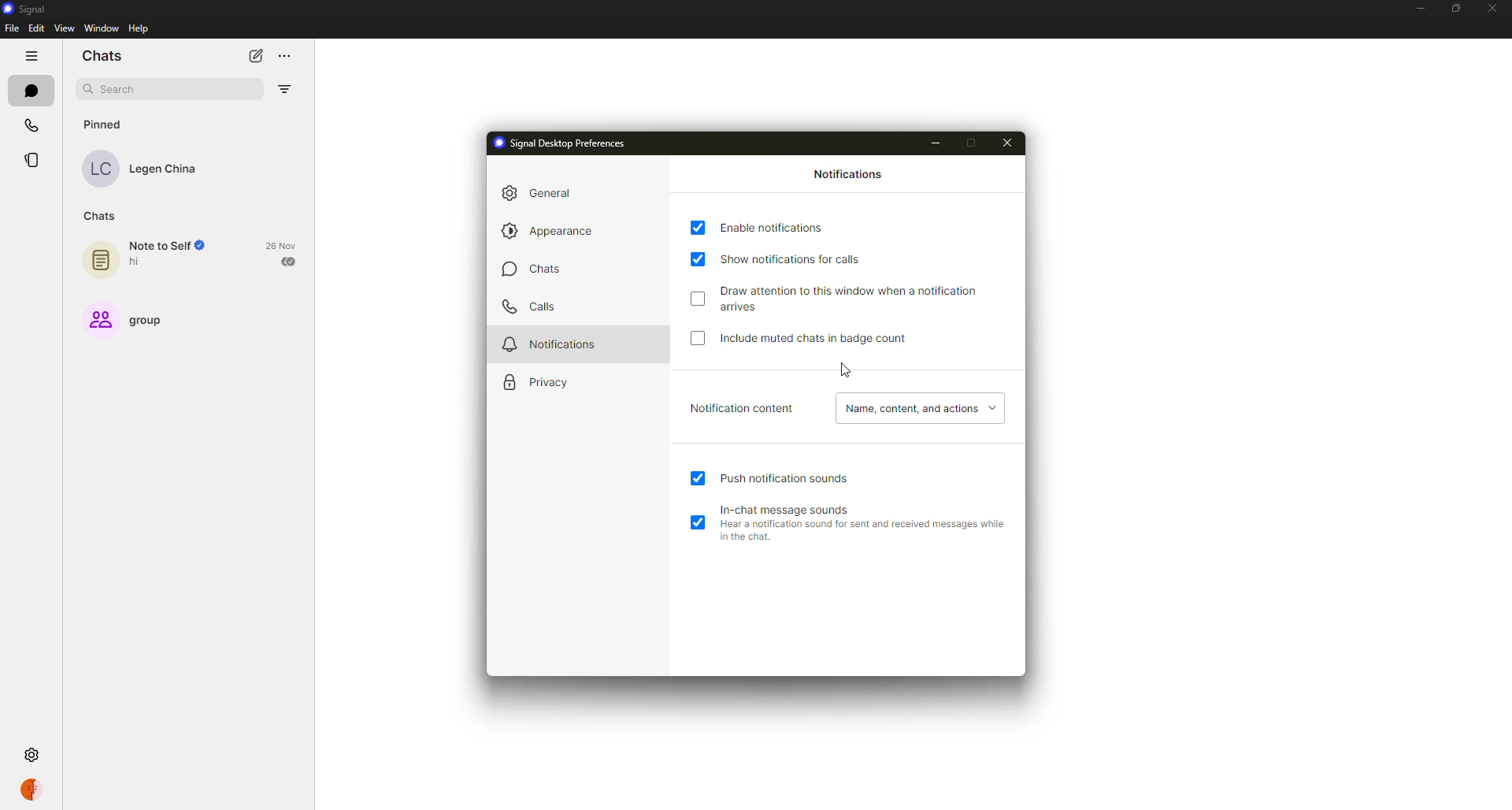 The height and width of the screenshot is (810, 1512). What do you see at coordinates (701, 299) in the screenshot?
I see `click to enable` at bounding box center [701, 299].